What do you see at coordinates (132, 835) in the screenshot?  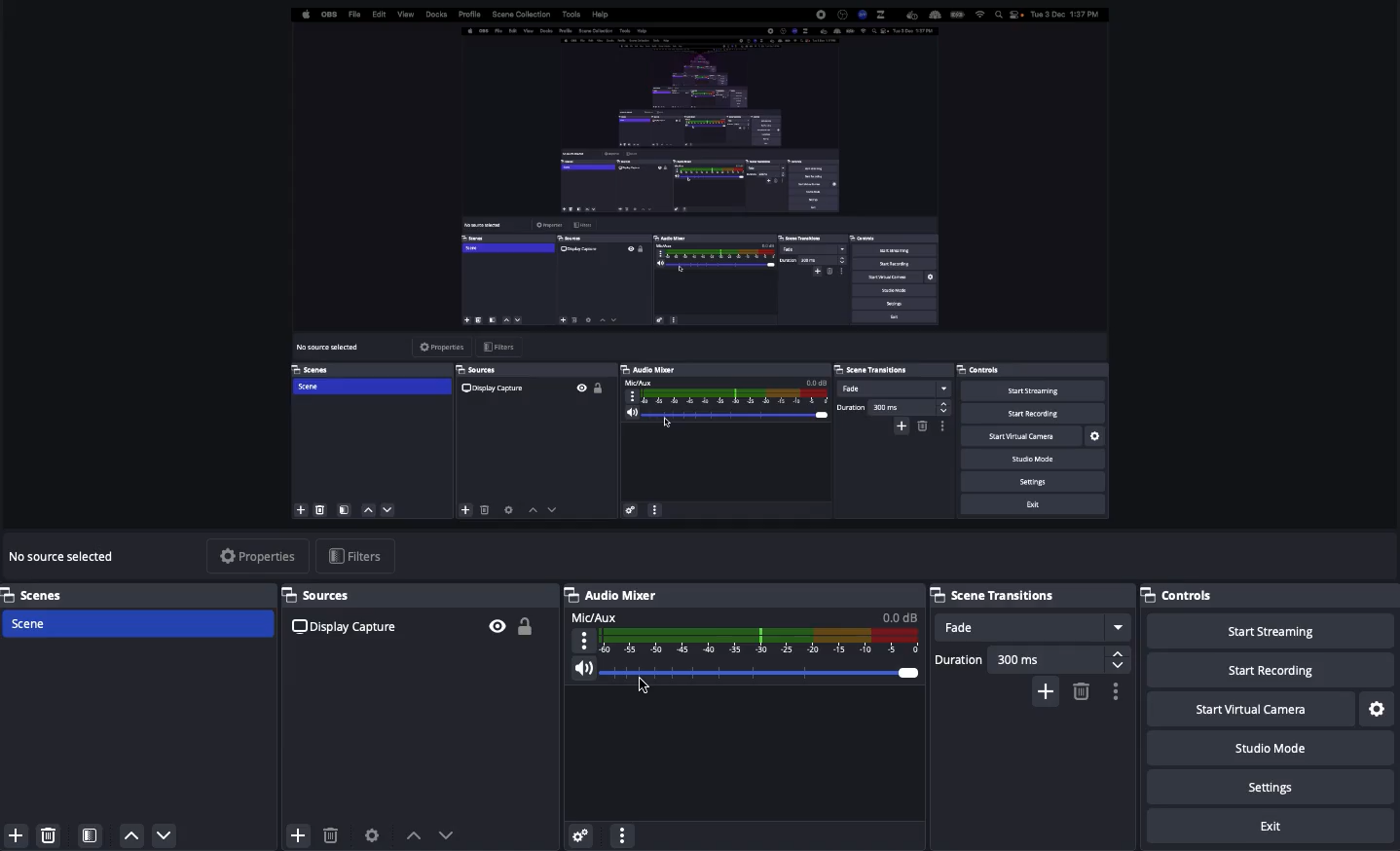 I see `Up` at bounding box center [132, 835].